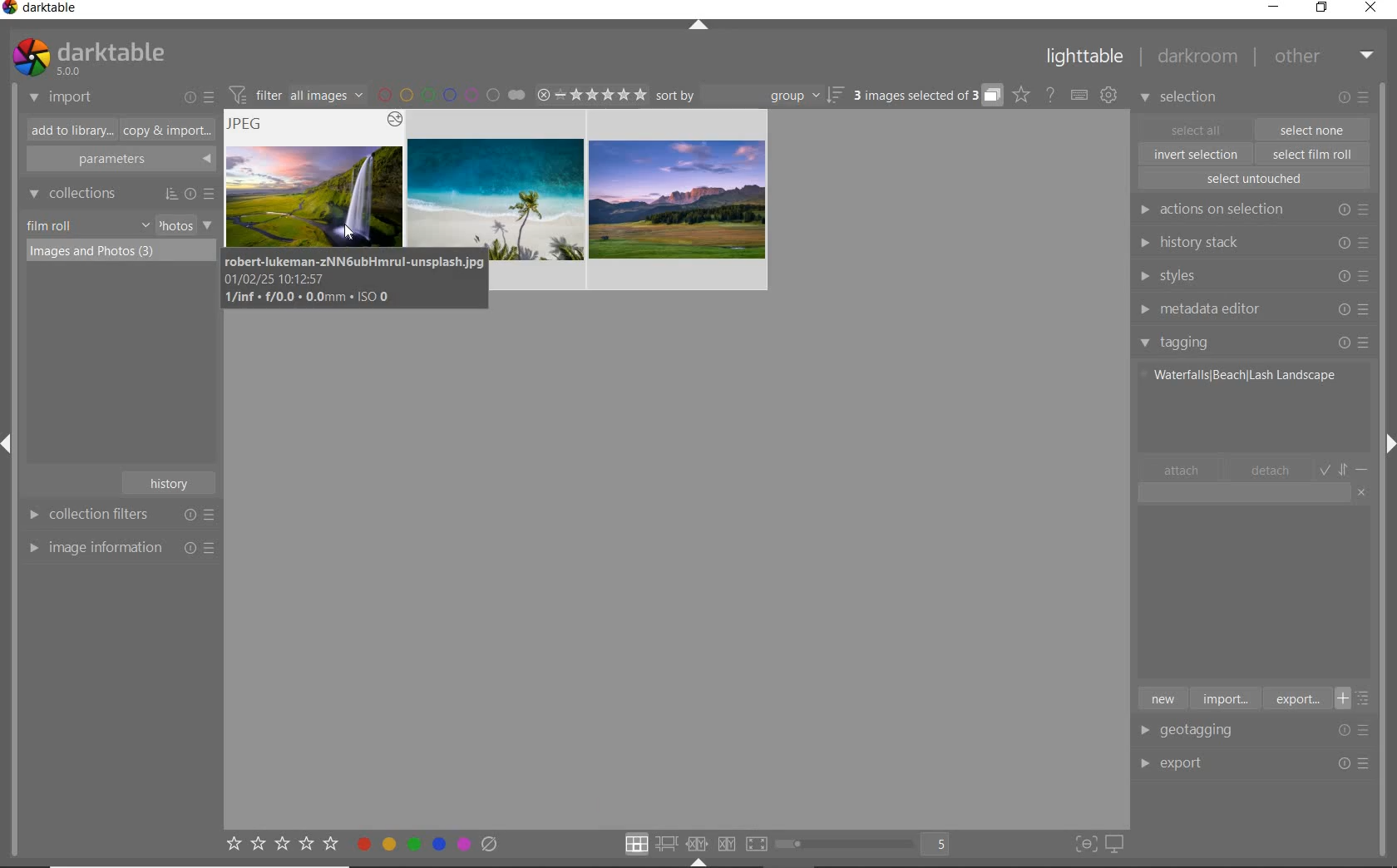 This screenshot has width=1397, height=868. I want to click on Options, so click(1359, 730).